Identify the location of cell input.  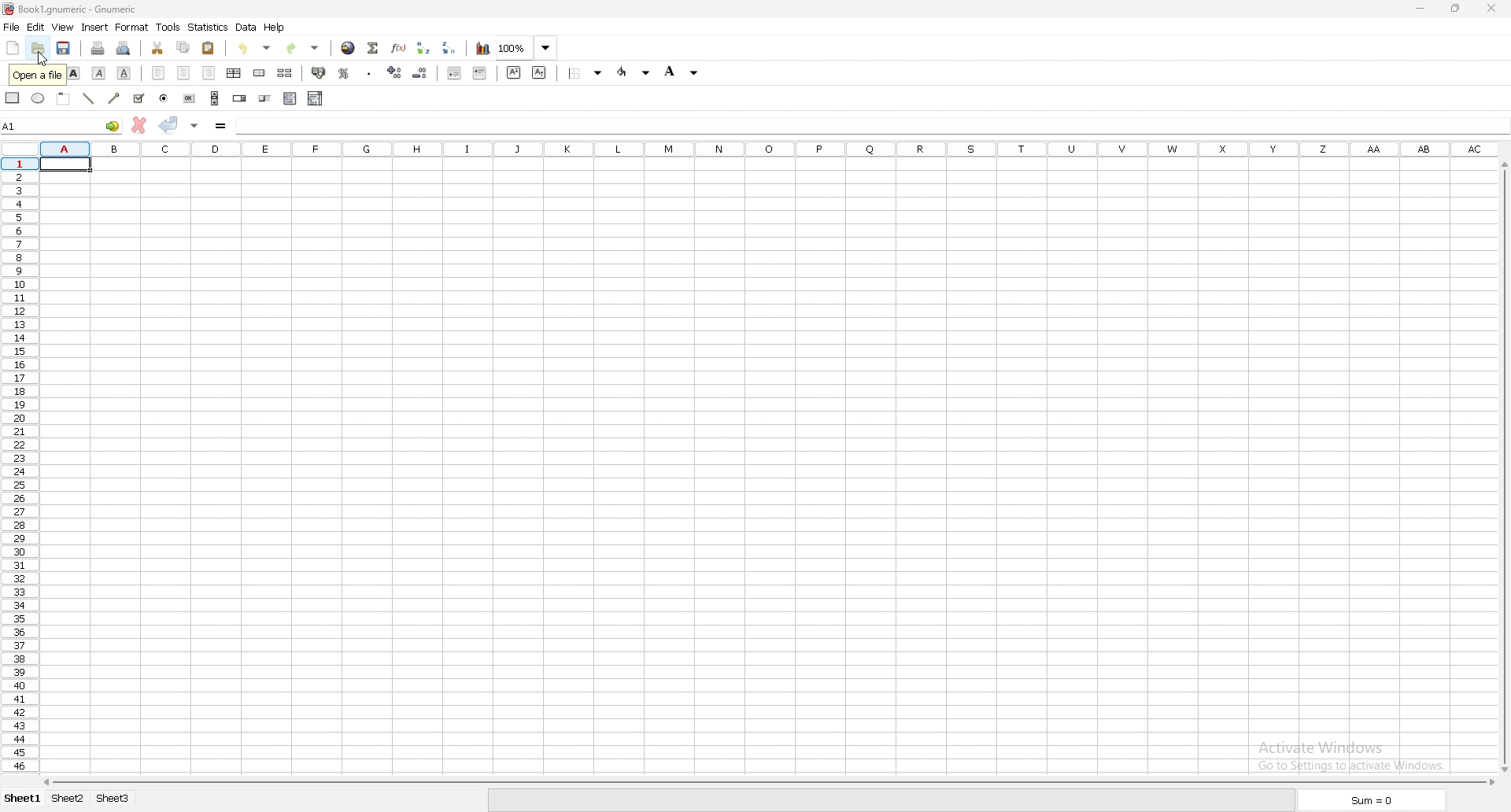
(870, 125).